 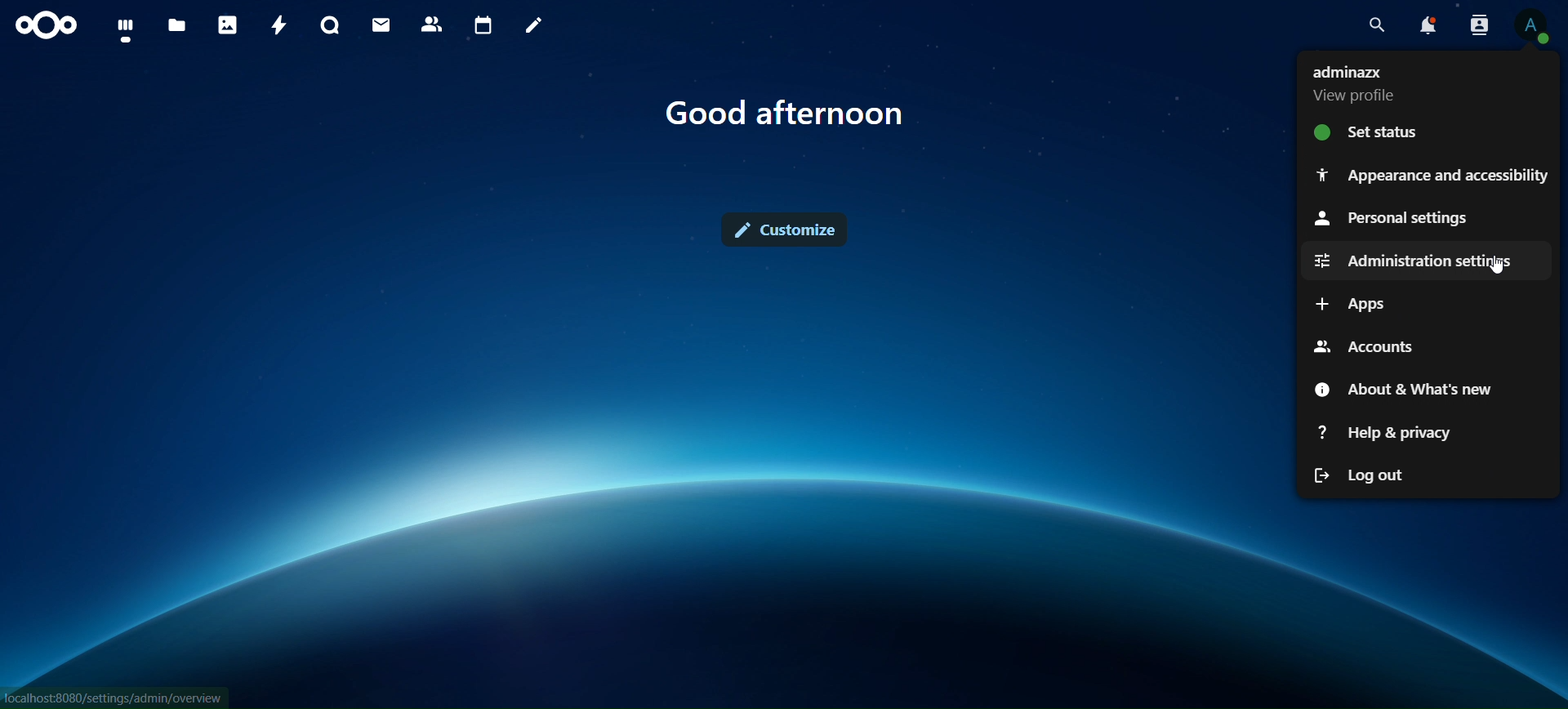 I want to click on dashboard, so click(x=126, y=30).